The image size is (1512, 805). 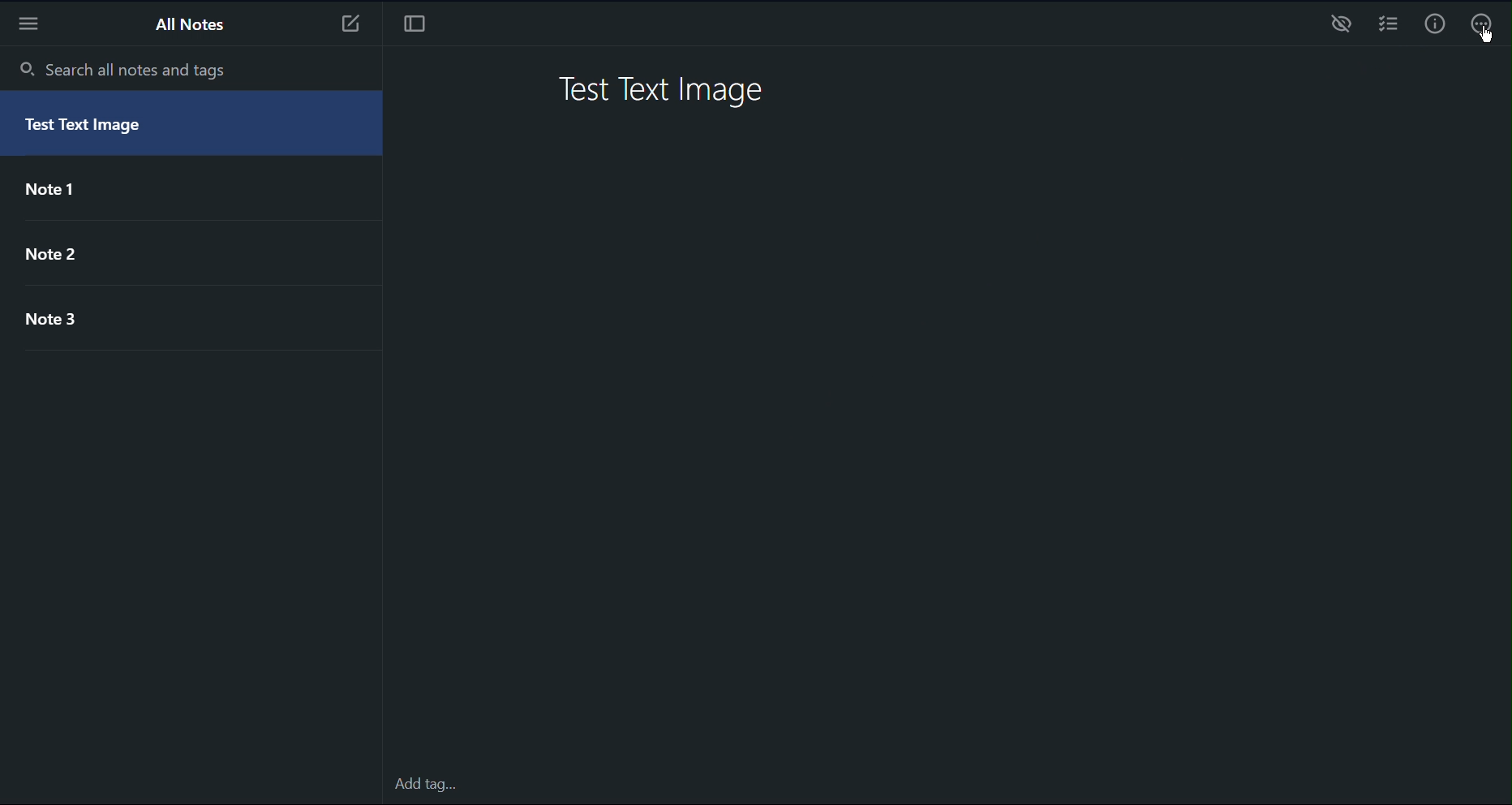 What do you see at coordinates (652, 97) in the screenshot?
I see `Test Text Image` at bounding box center [652, 97].